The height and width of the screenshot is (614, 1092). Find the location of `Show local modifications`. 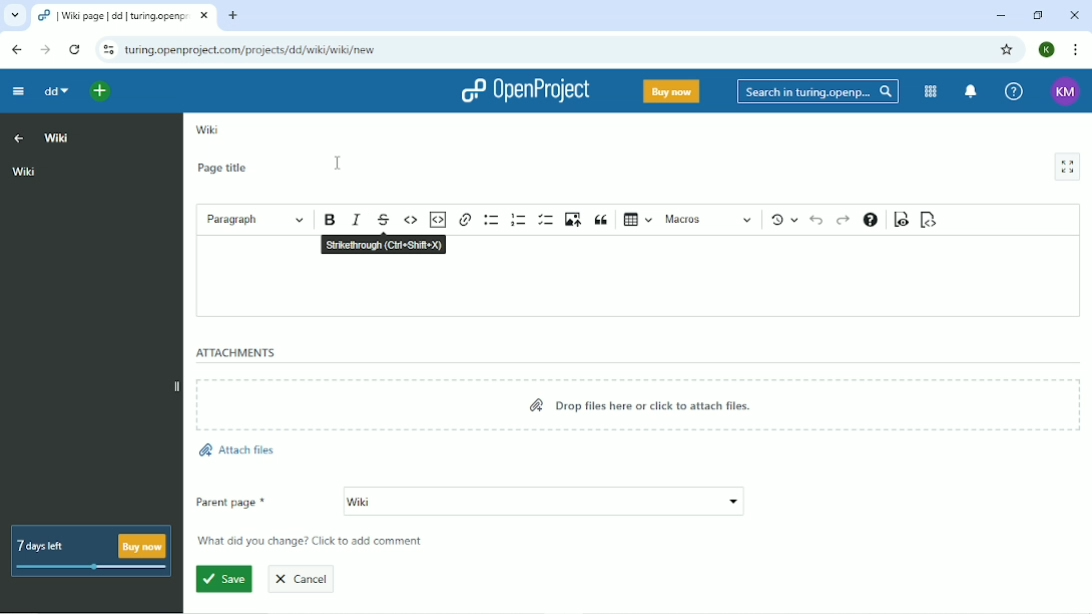

Show local modifications is located at coordinates (786, 221).